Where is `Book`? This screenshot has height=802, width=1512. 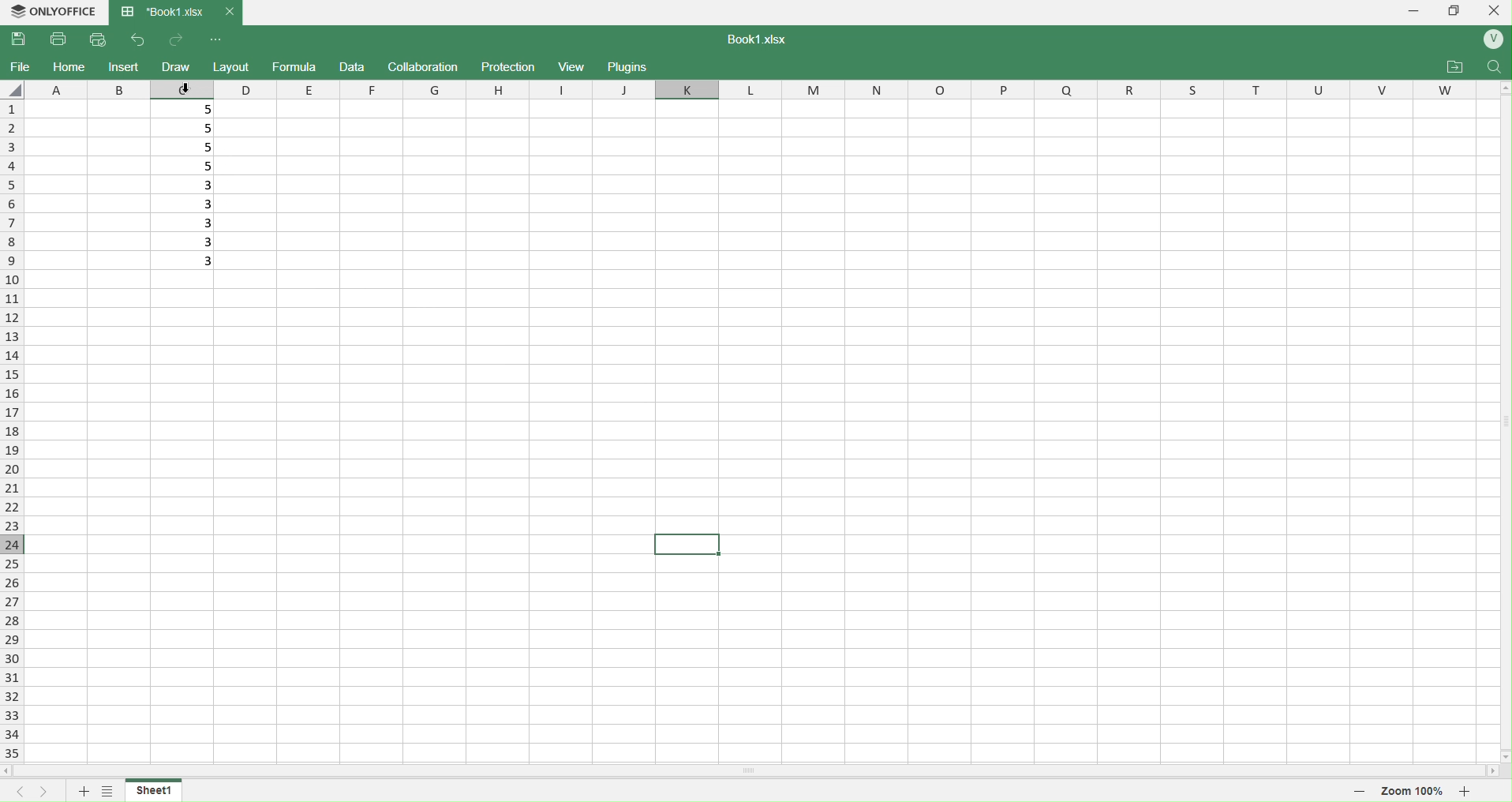 Book is located at coordinates (174, 13).